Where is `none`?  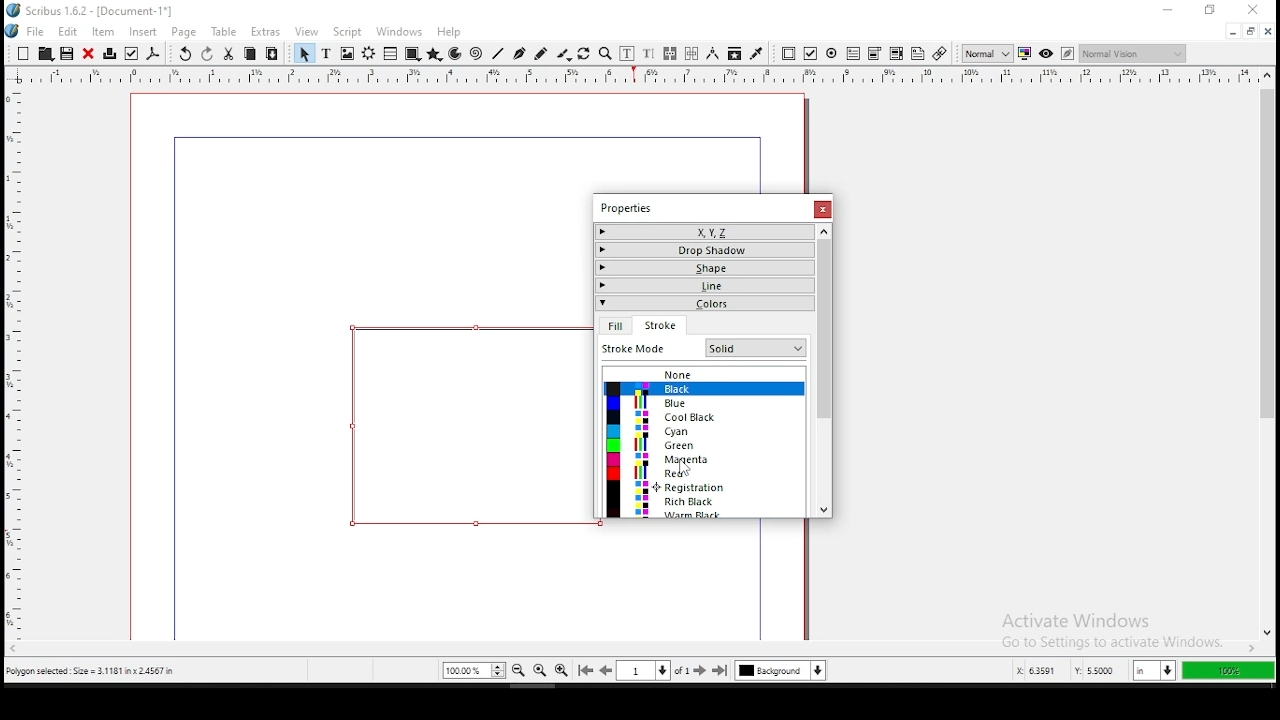 none is located at coordinates (705, 373).